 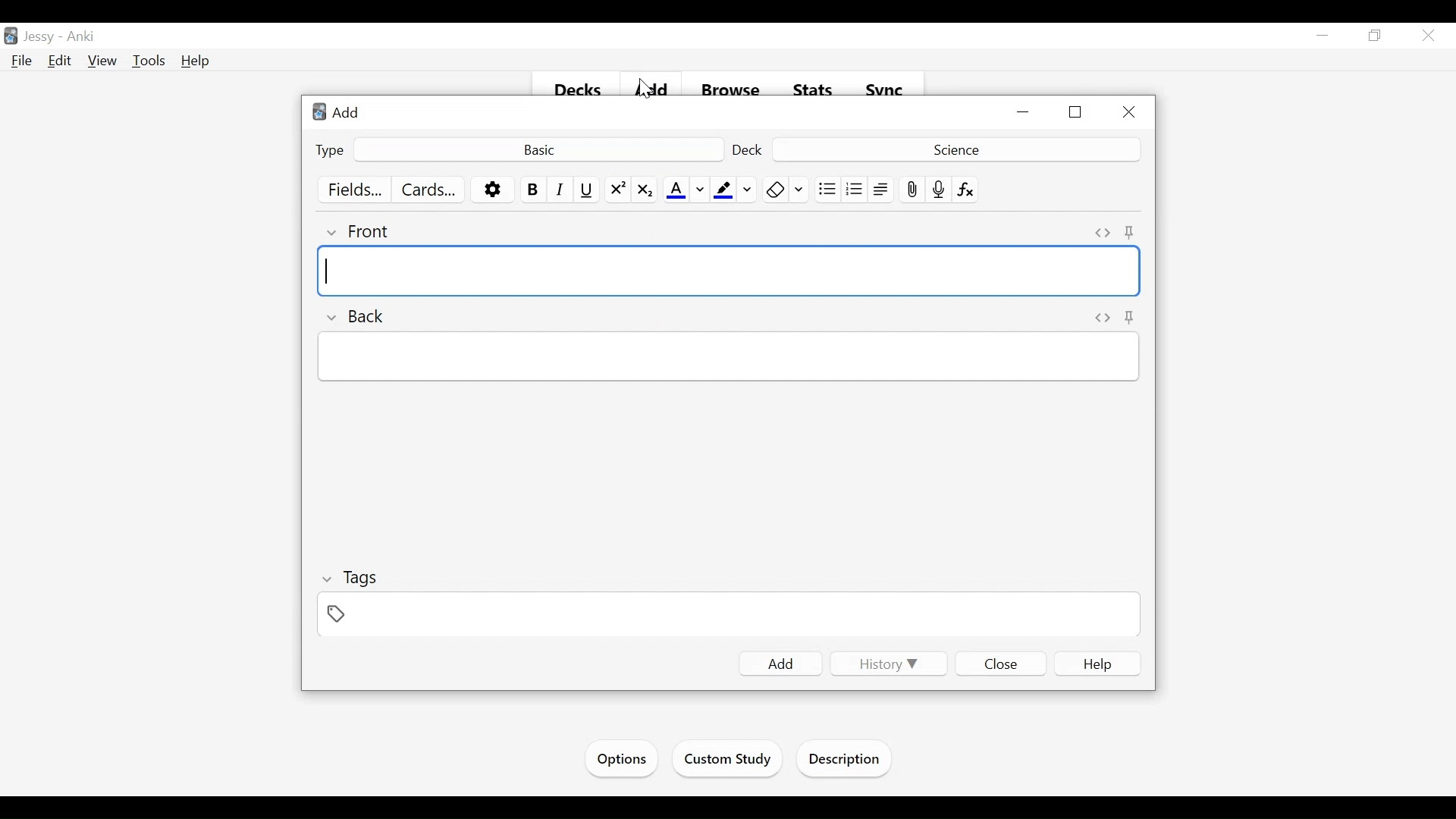 What do you see at coordinates (1130, 232) in the screenshot?
I see `Toggle Sticky` at bounding box center [1130, 232].